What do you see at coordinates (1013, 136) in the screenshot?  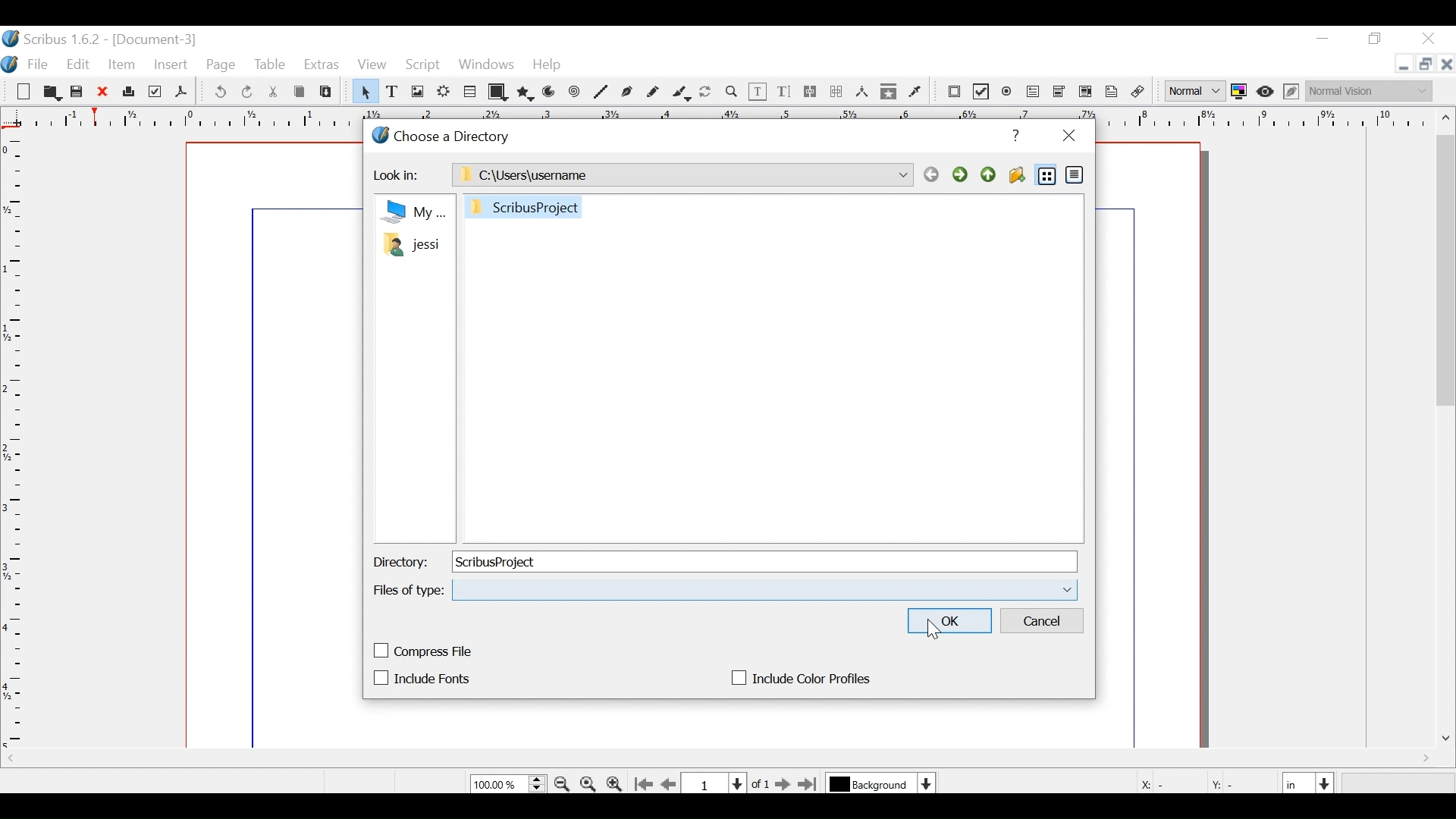 I see `Help` at bounding box center [1013, 136].